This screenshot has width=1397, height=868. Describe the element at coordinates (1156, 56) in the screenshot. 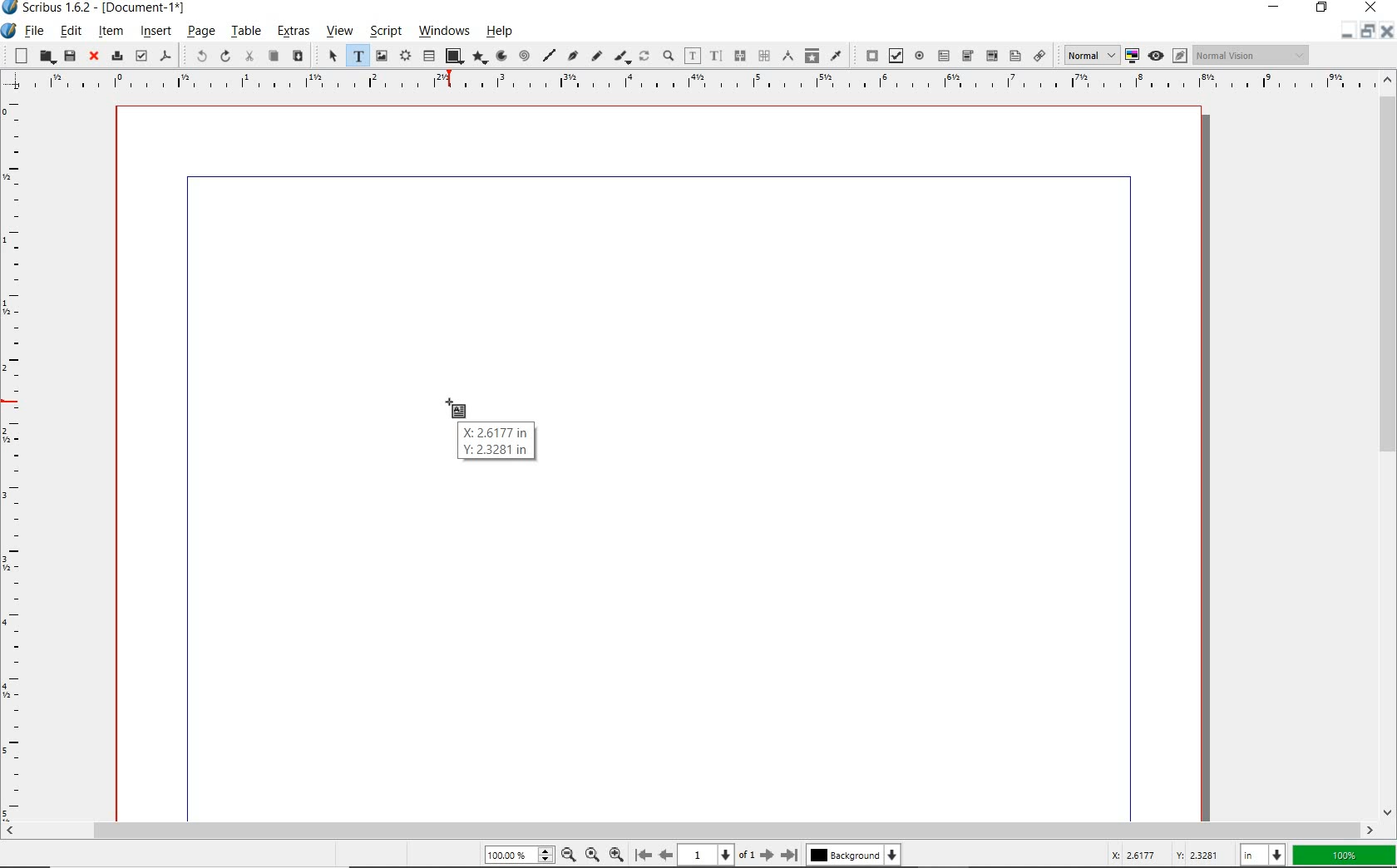

I see `preview mode` at that location.